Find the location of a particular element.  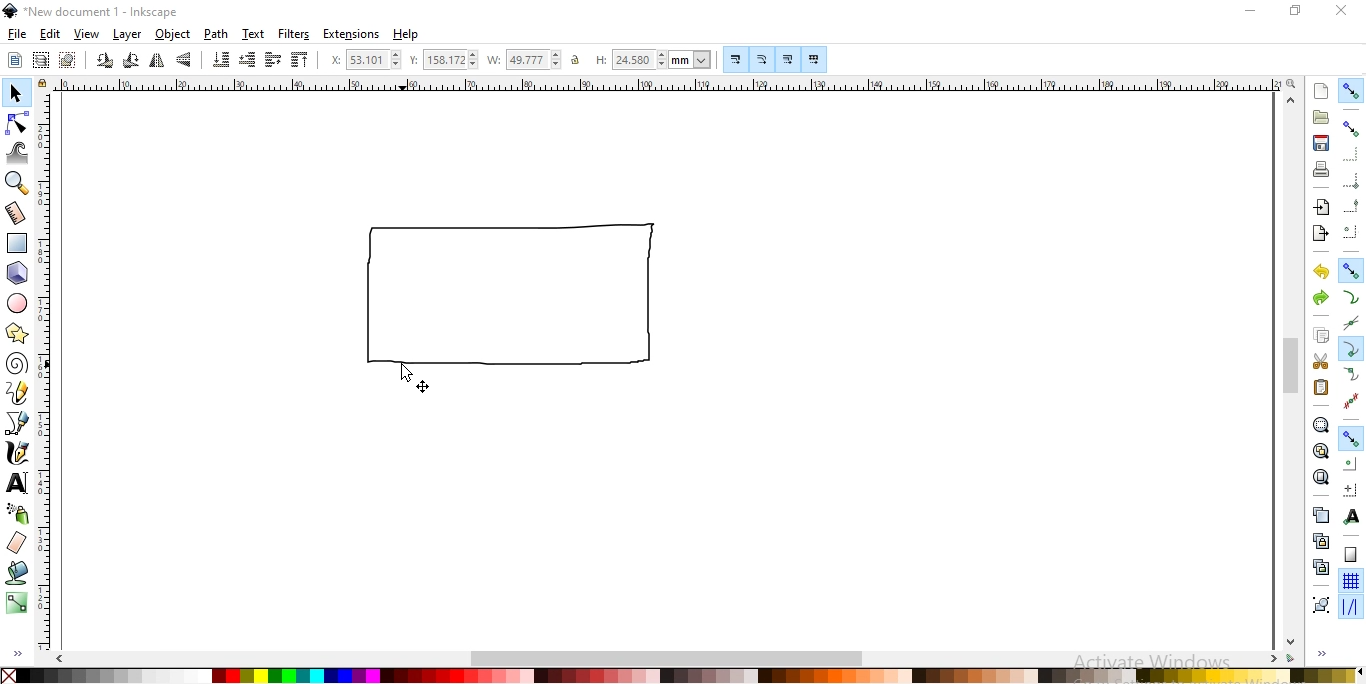

view is located at coordinates (86, 35).